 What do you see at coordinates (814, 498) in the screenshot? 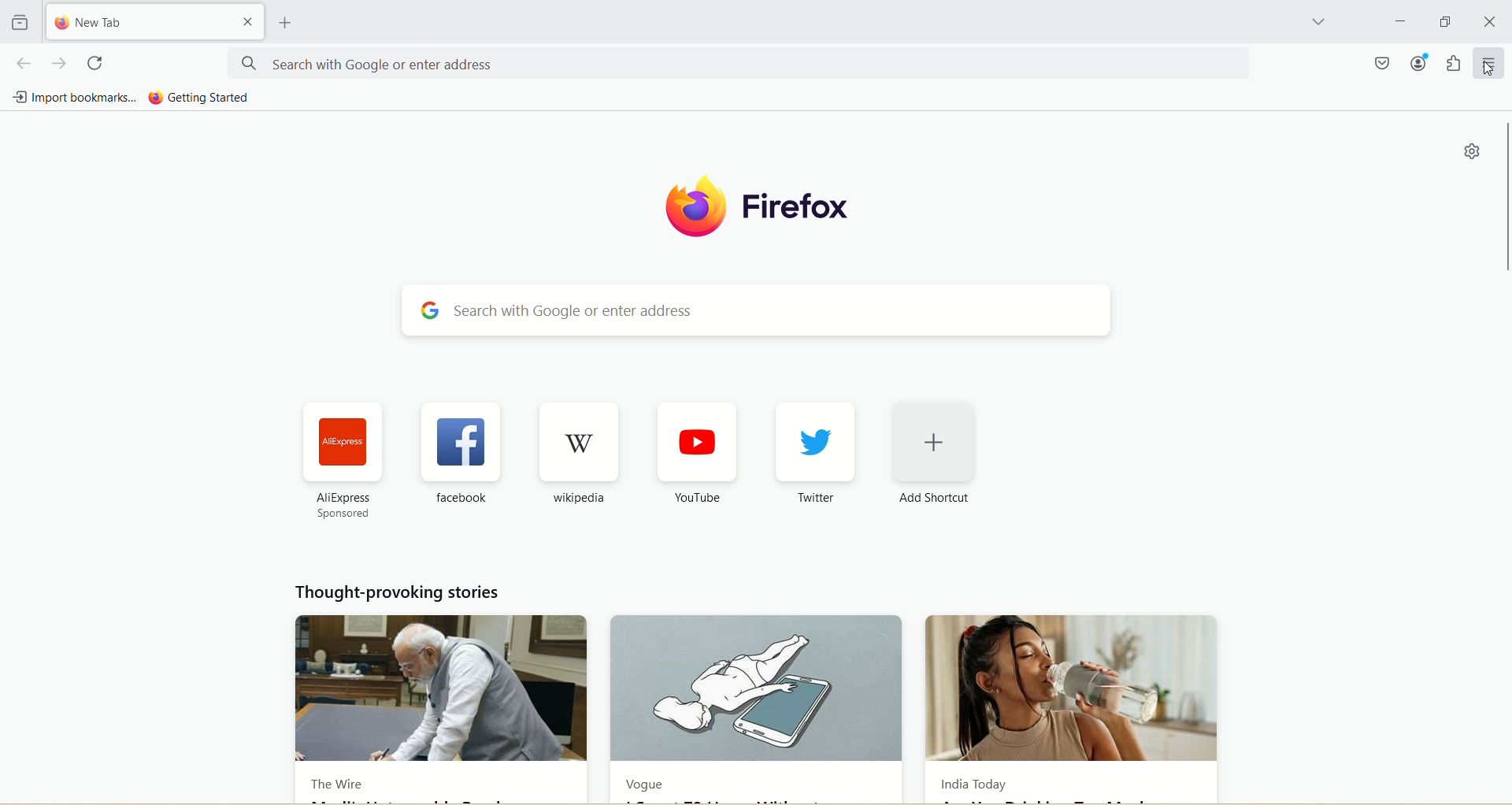
I see `Twitter` at bounding box center [814, 498].